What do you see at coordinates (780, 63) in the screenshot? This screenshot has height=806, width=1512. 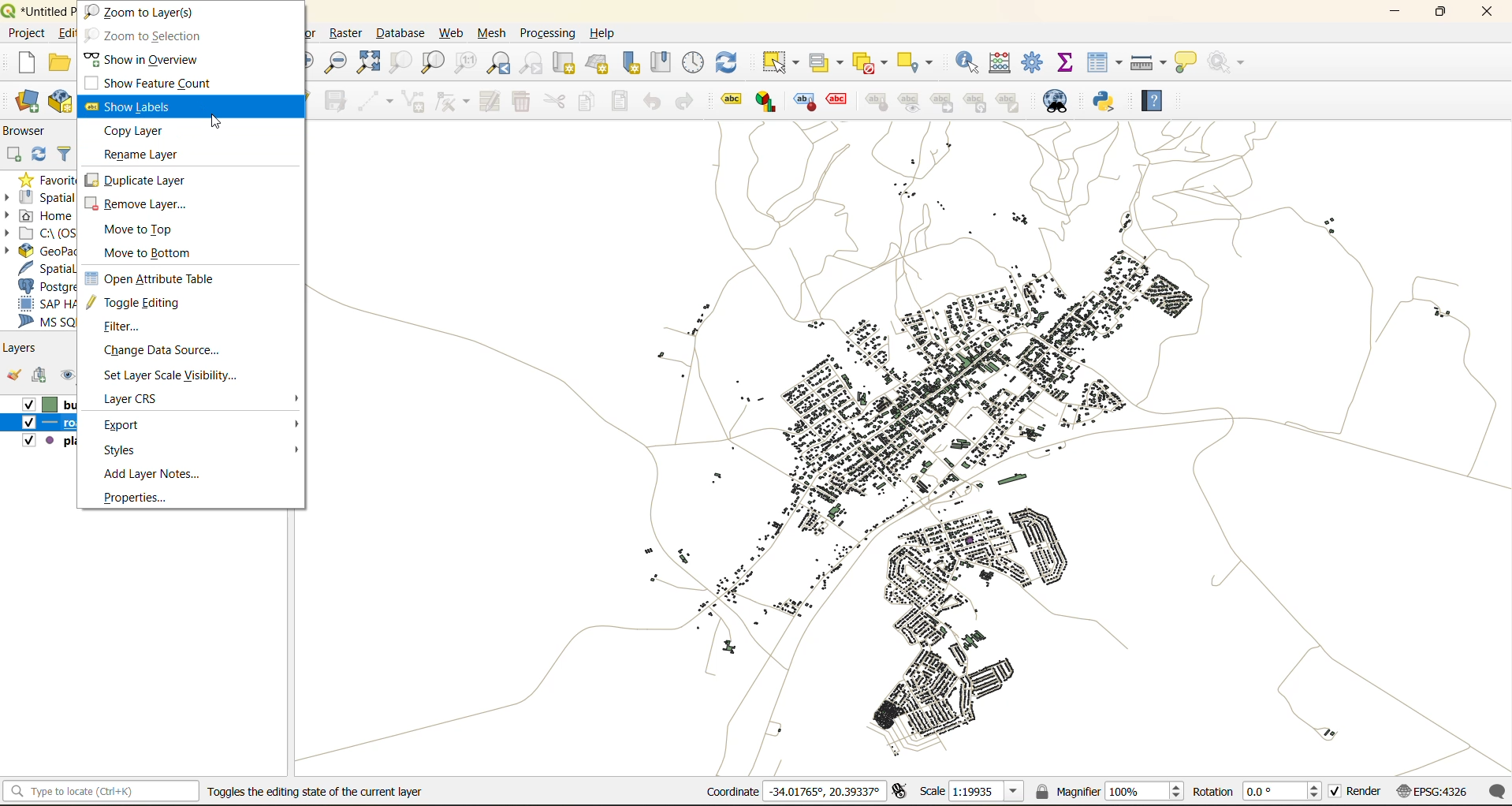 I see `select` at bounding box center [780, 63].